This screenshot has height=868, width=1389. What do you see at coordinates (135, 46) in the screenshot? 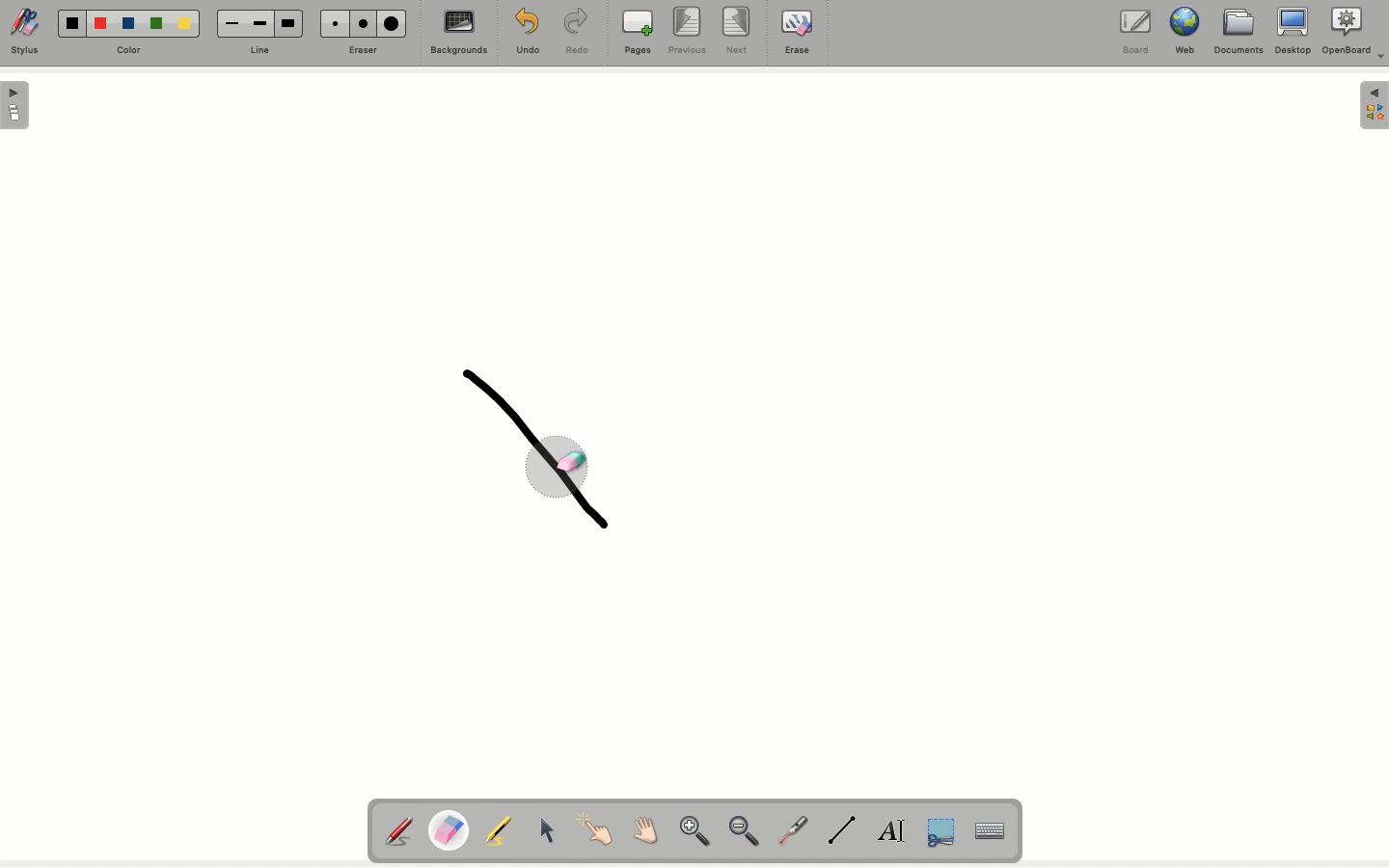
I see `Color` at bounding box center [135, 46].